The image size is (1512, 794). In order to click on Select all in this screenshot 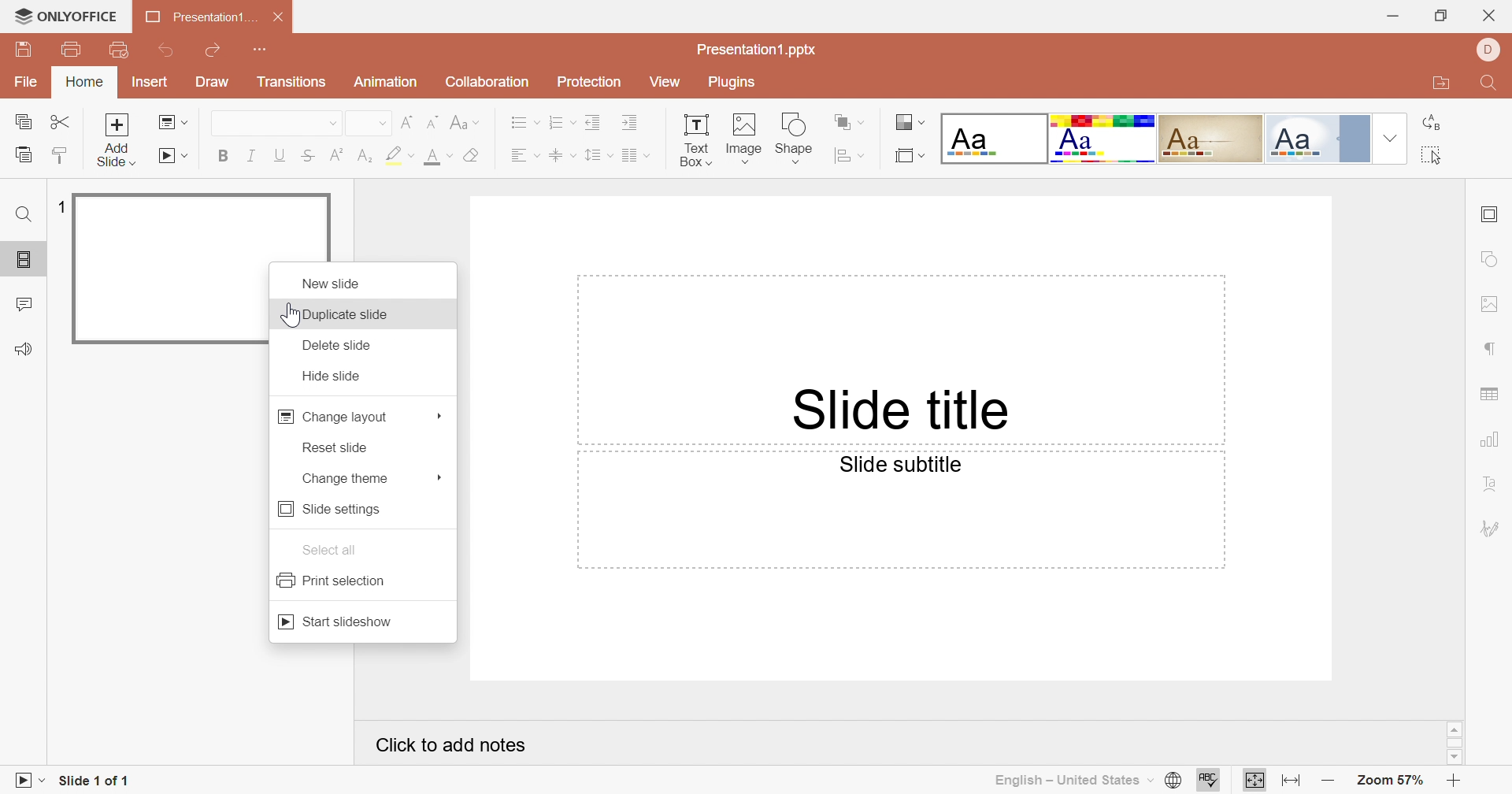, I will do `click(334, 550)`.